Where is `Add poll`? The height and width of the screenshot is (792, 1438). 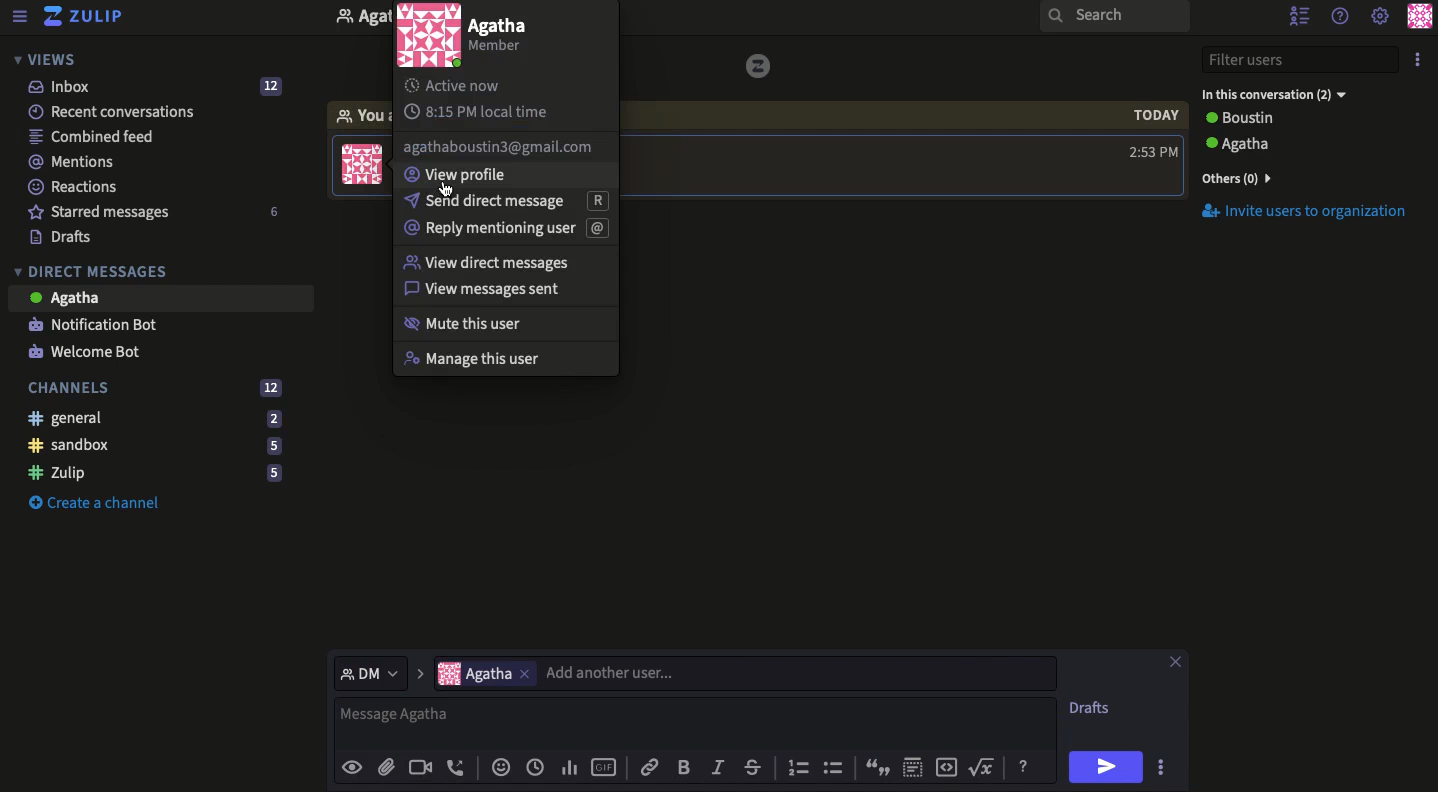
Add poll is located at coordinates (574, 765).